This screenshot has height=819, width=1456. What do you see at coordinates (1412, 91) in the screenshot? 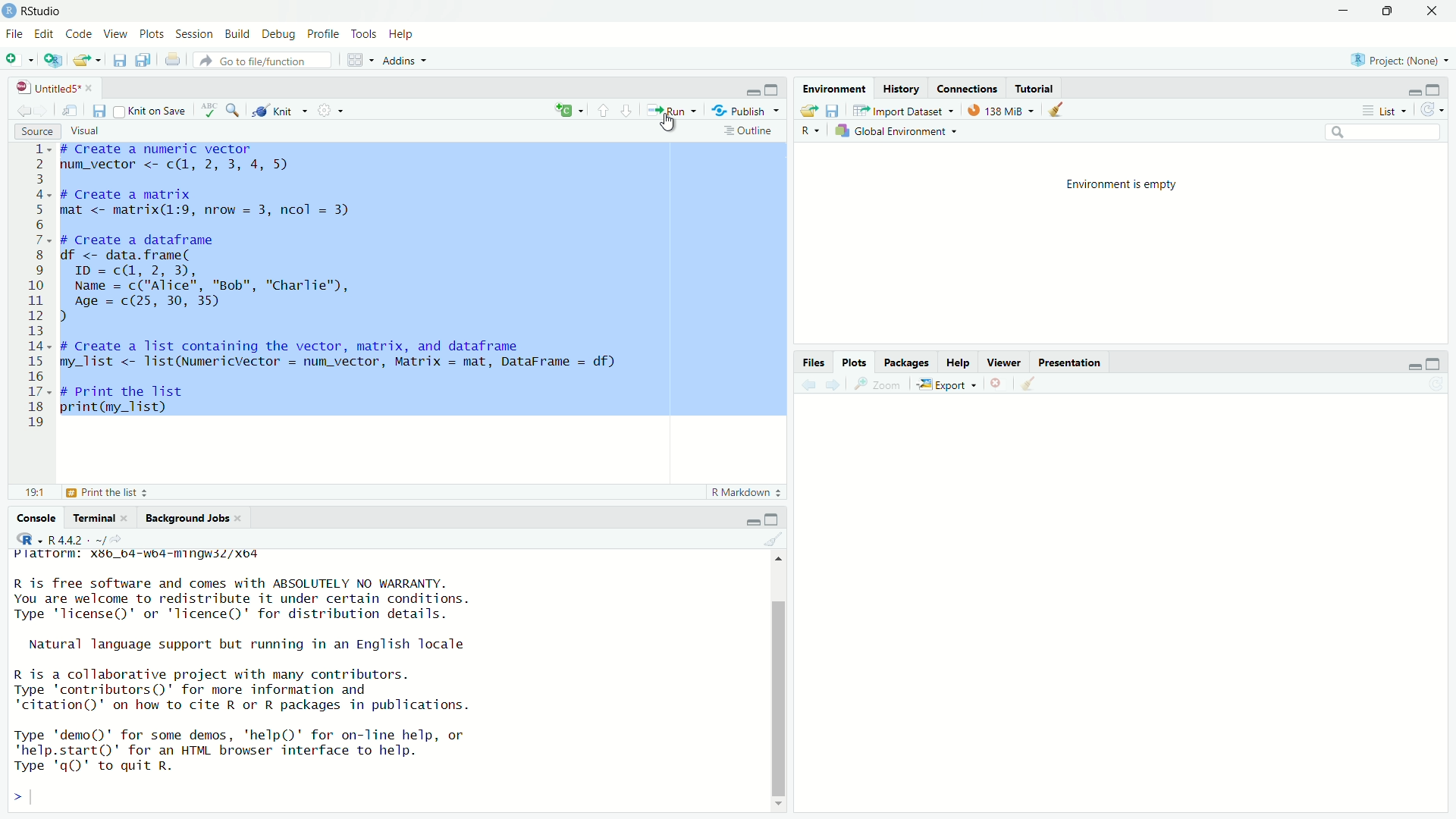
I see `minimise` at bounding box center [1412, 91].